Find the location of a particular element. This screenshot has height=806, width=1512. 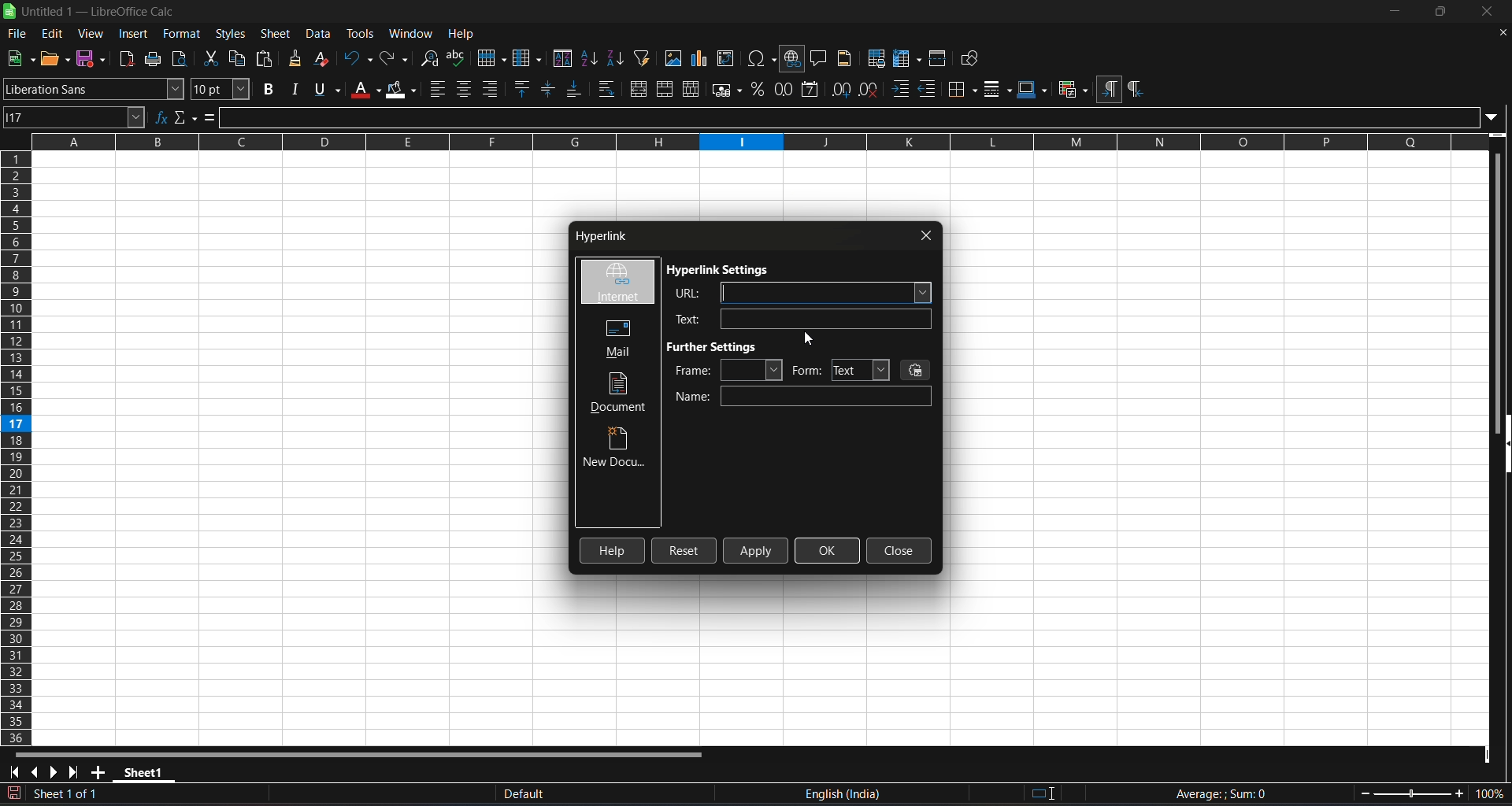

hide is located at coordinates (1503, 446).